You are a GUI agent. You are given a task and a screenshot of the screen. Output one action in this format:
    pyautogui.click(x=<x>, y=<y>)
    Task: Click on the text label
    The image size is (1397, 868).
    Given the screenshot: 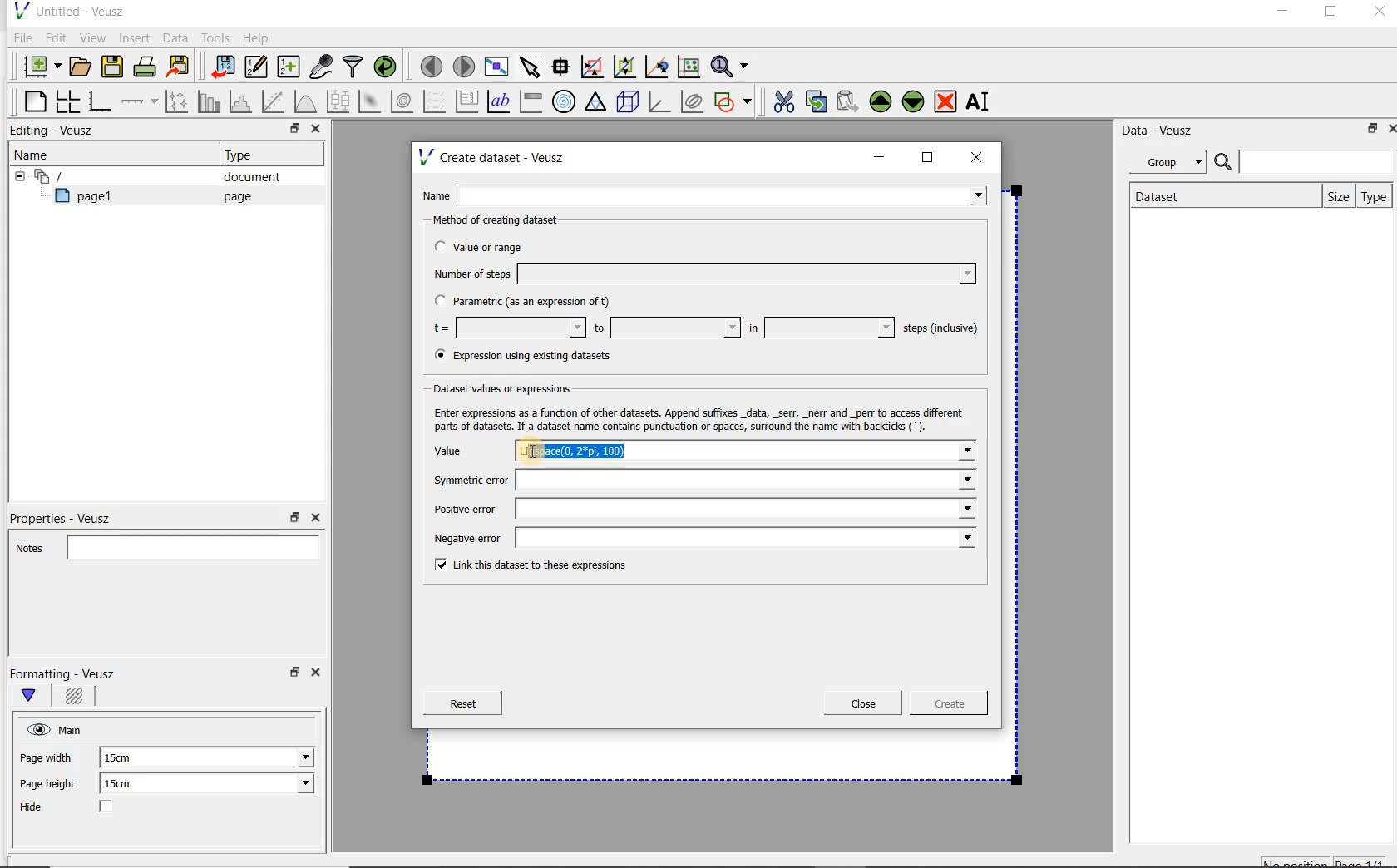 What is the action you would take?
    pyautogui.click(x=501, y=101)
    